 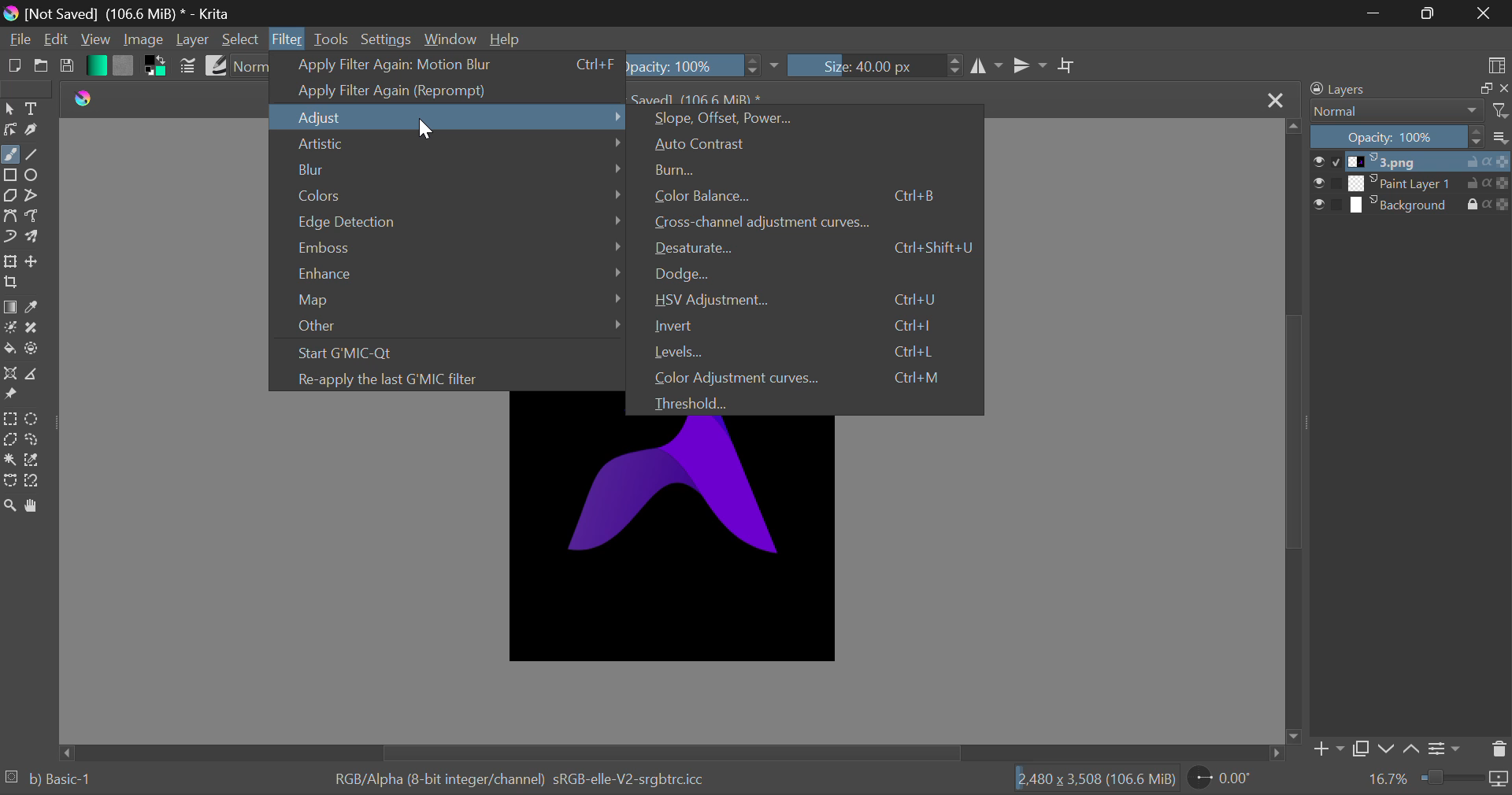 I want to click on move up, so click(x=1292, y=127).